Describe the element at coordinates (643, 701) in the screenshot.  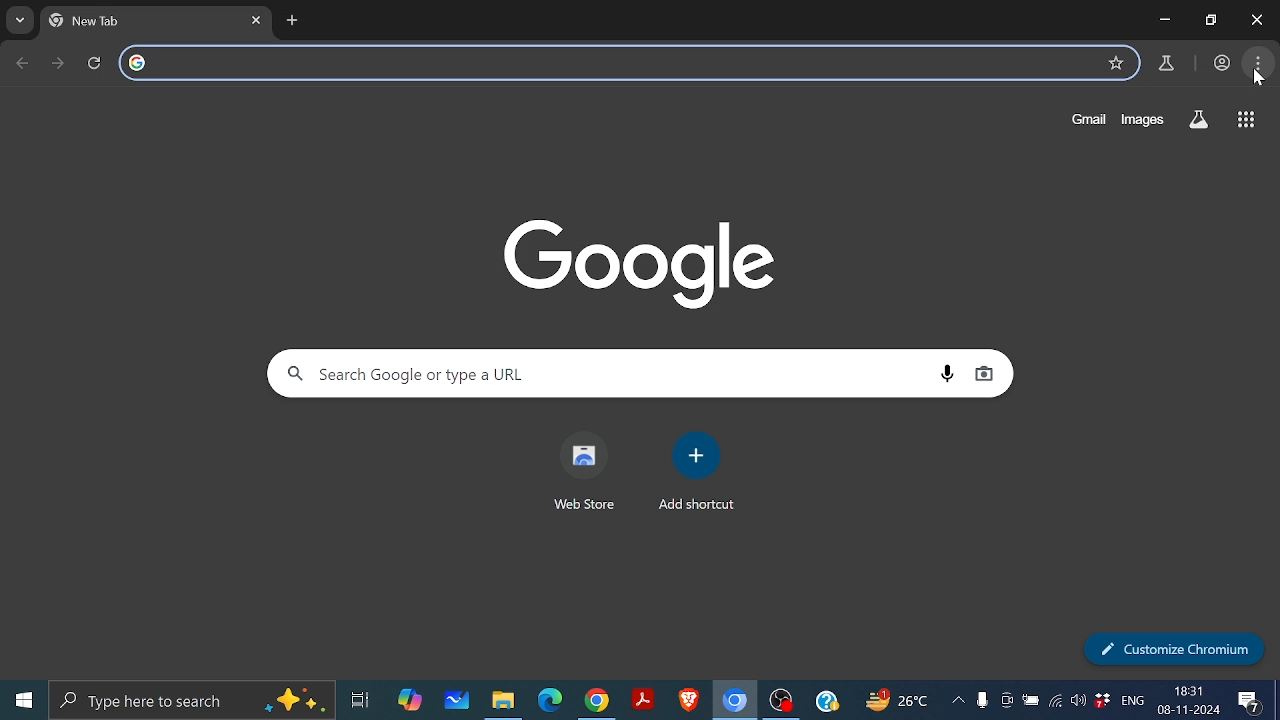
I see `adobe reader` at that location.